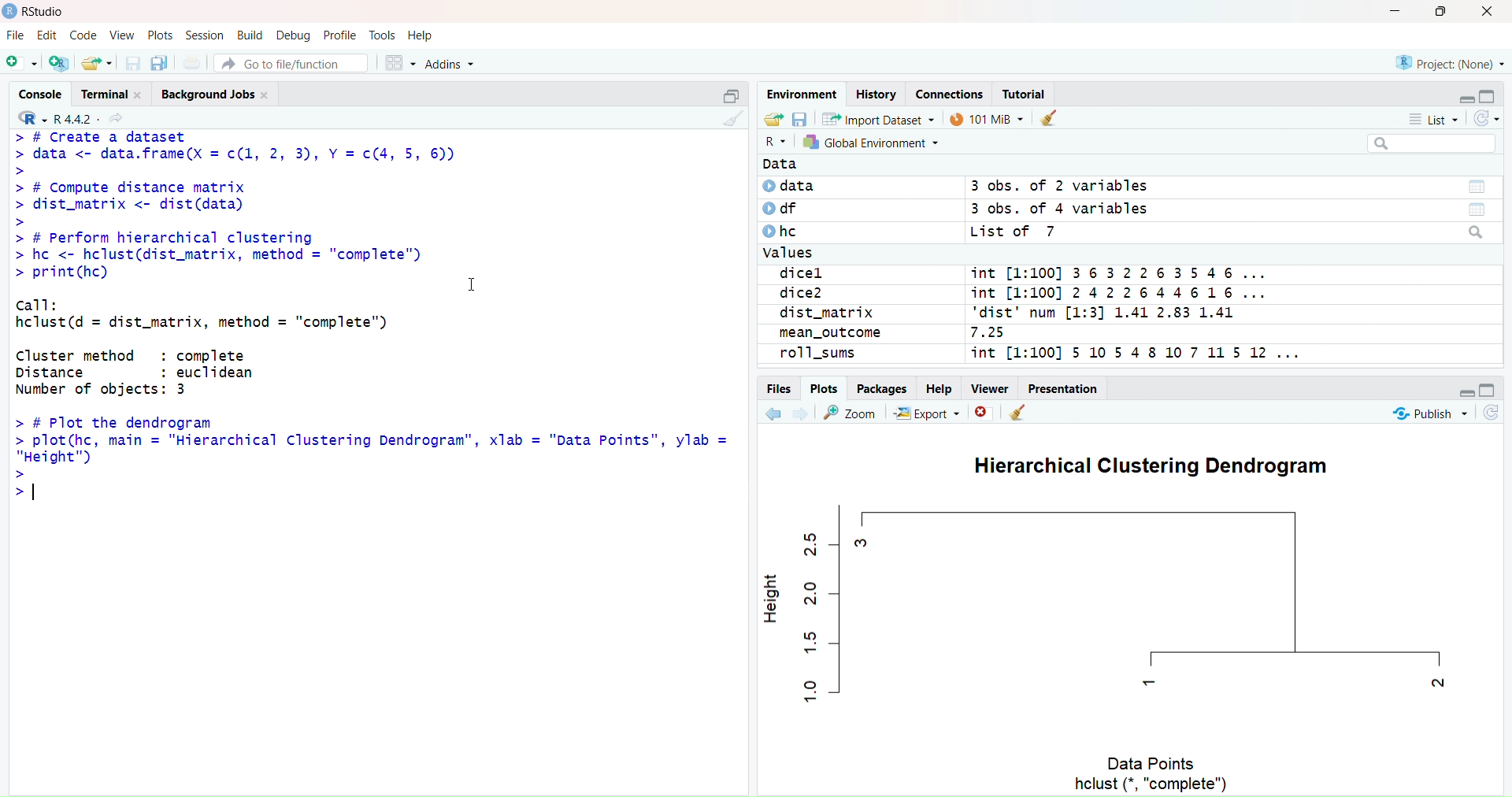 The height and width of the screenshot is (797, 1512). I want to click on Maximize, so click(1489, 390).